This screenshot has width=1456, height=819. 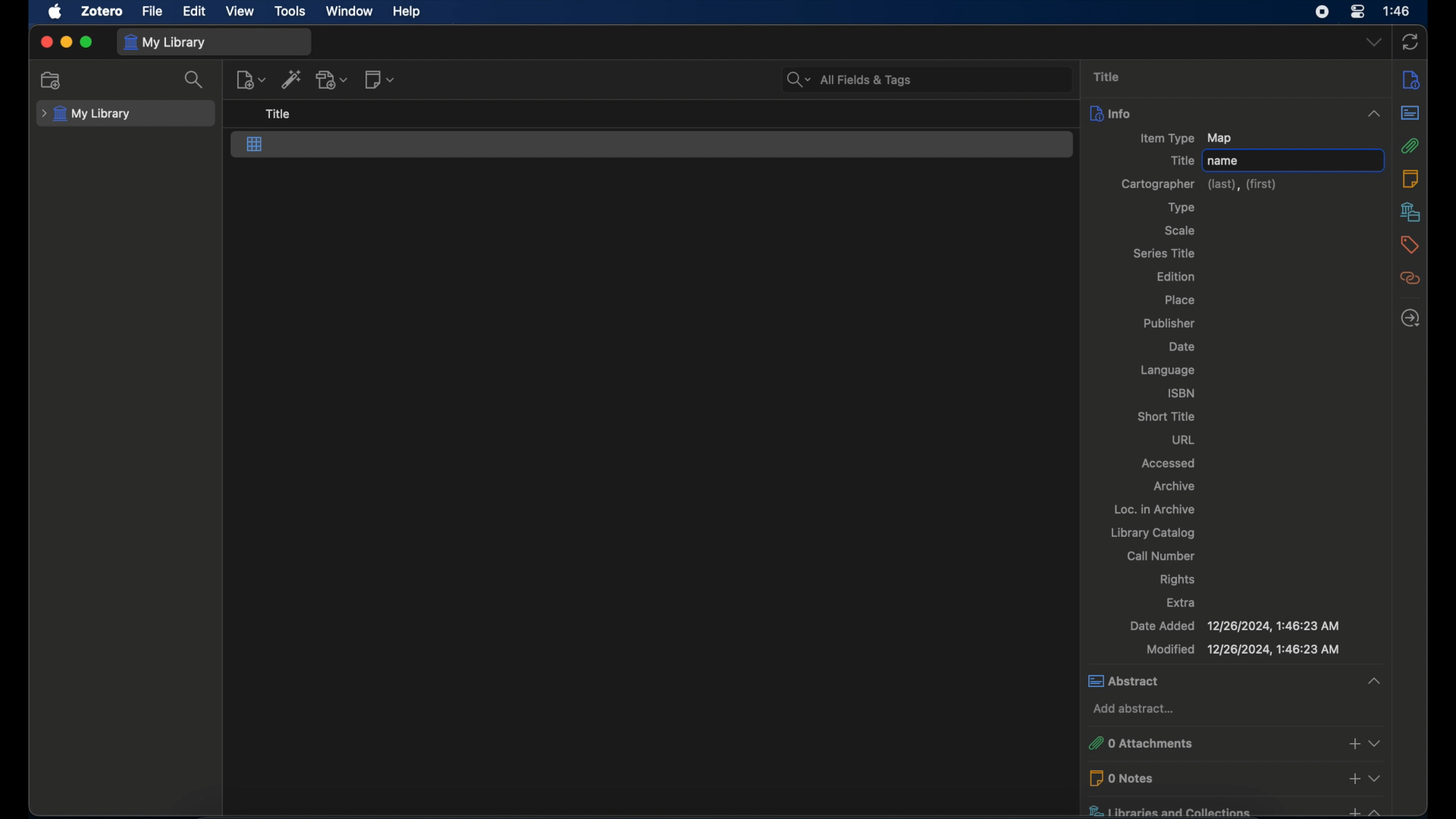 I want to click on add, so click(x=1351, y=810).